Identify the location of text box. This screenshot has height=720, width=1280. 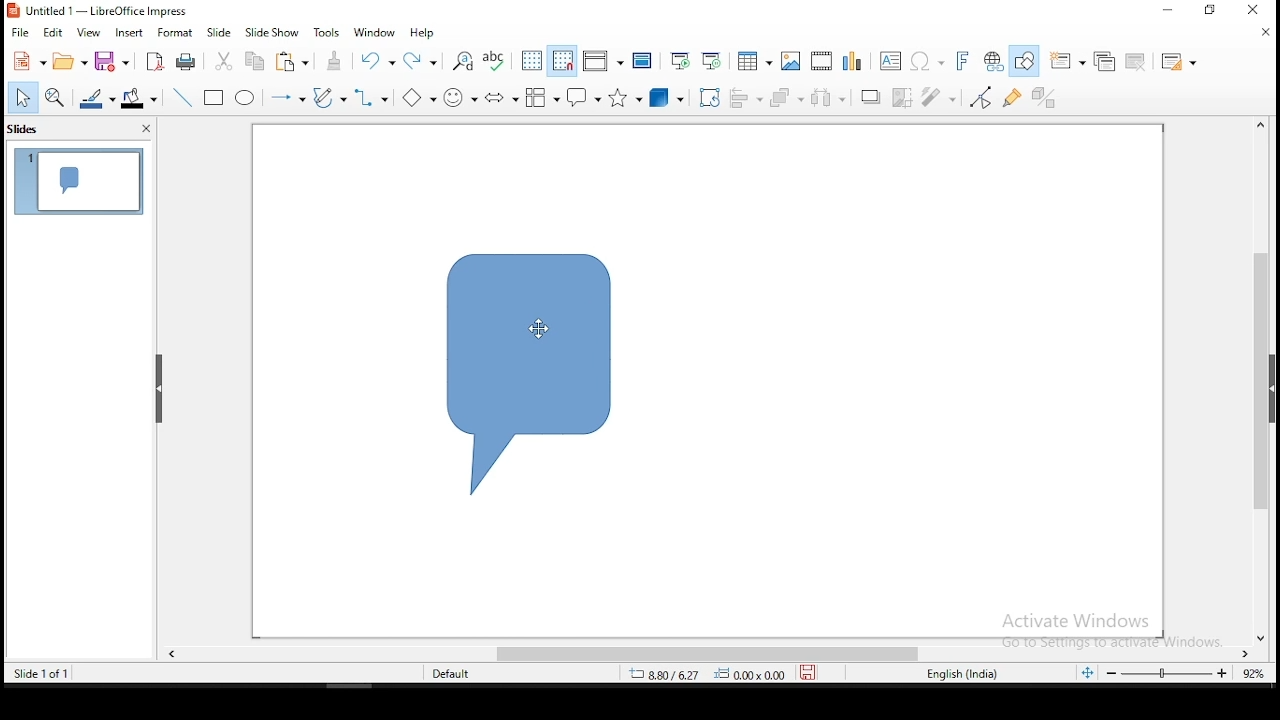
(892, 62).